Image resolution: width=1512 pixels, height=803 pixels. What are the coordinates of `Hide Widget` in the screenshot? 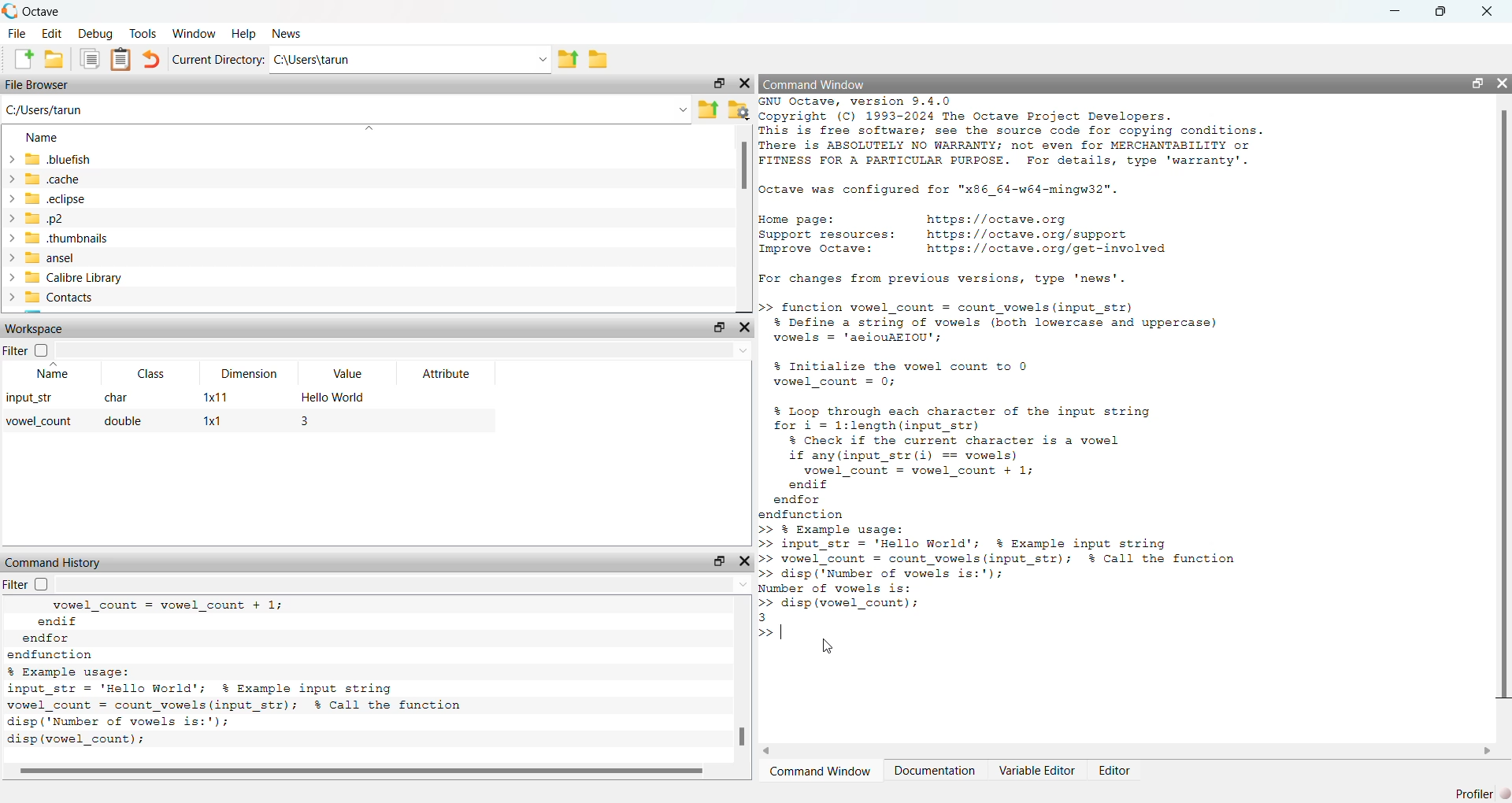 It's located at (745, 561).